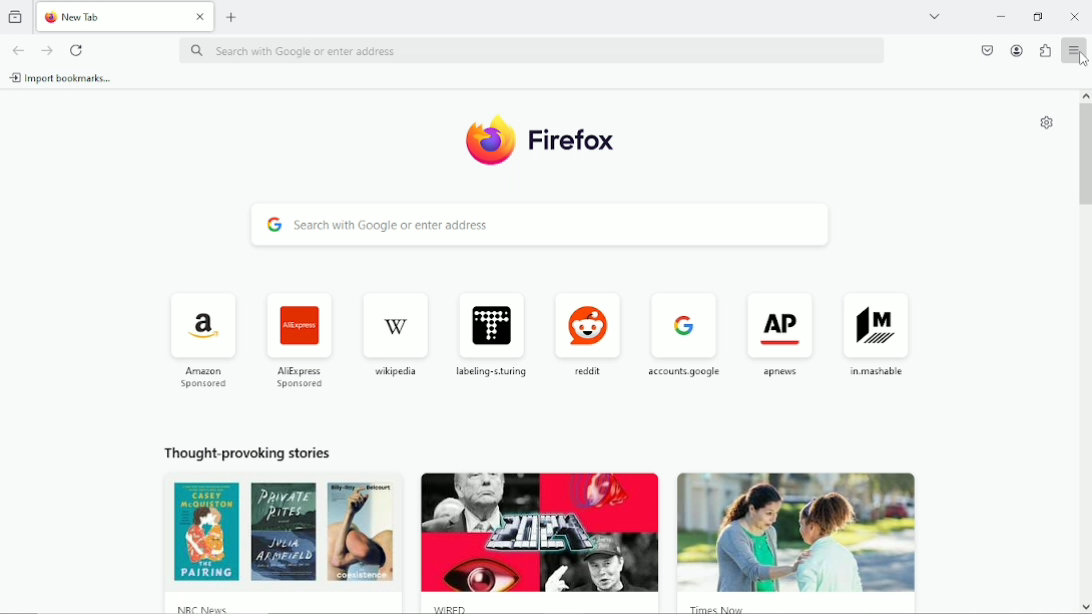  I want to click on go forward, so click(46, 50).